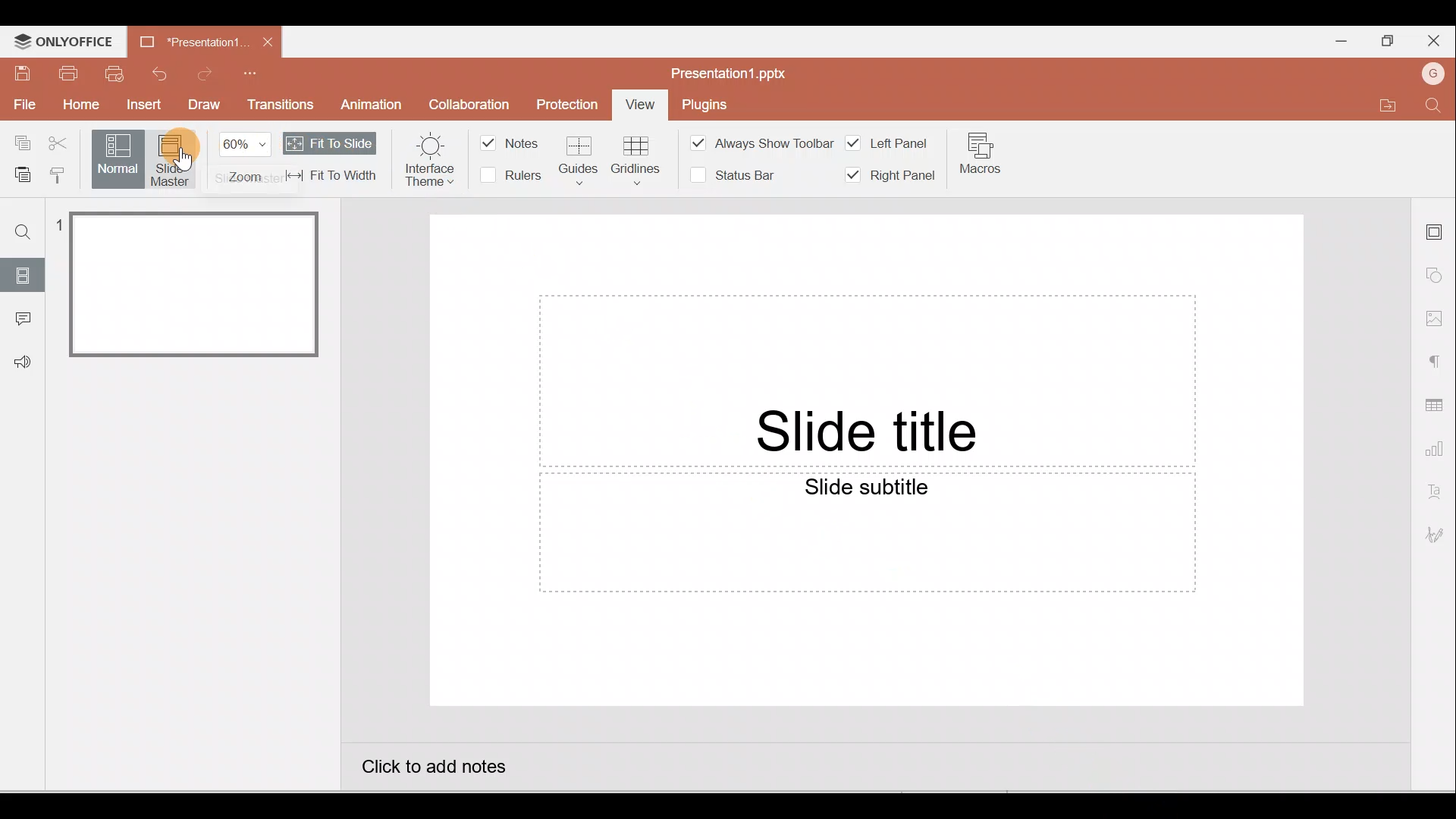  I want to click on Animation, so click(368, 105).